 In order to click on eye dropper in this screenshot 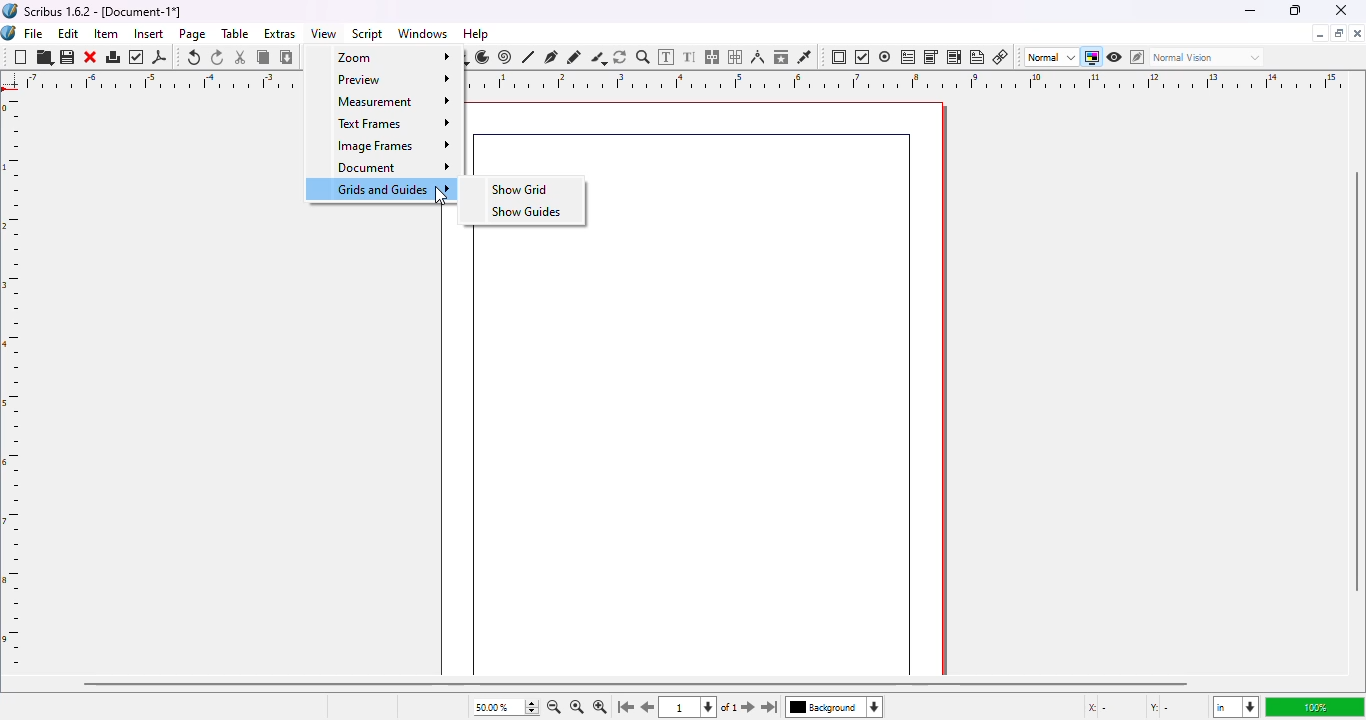, I will do `click(804, 57)`.